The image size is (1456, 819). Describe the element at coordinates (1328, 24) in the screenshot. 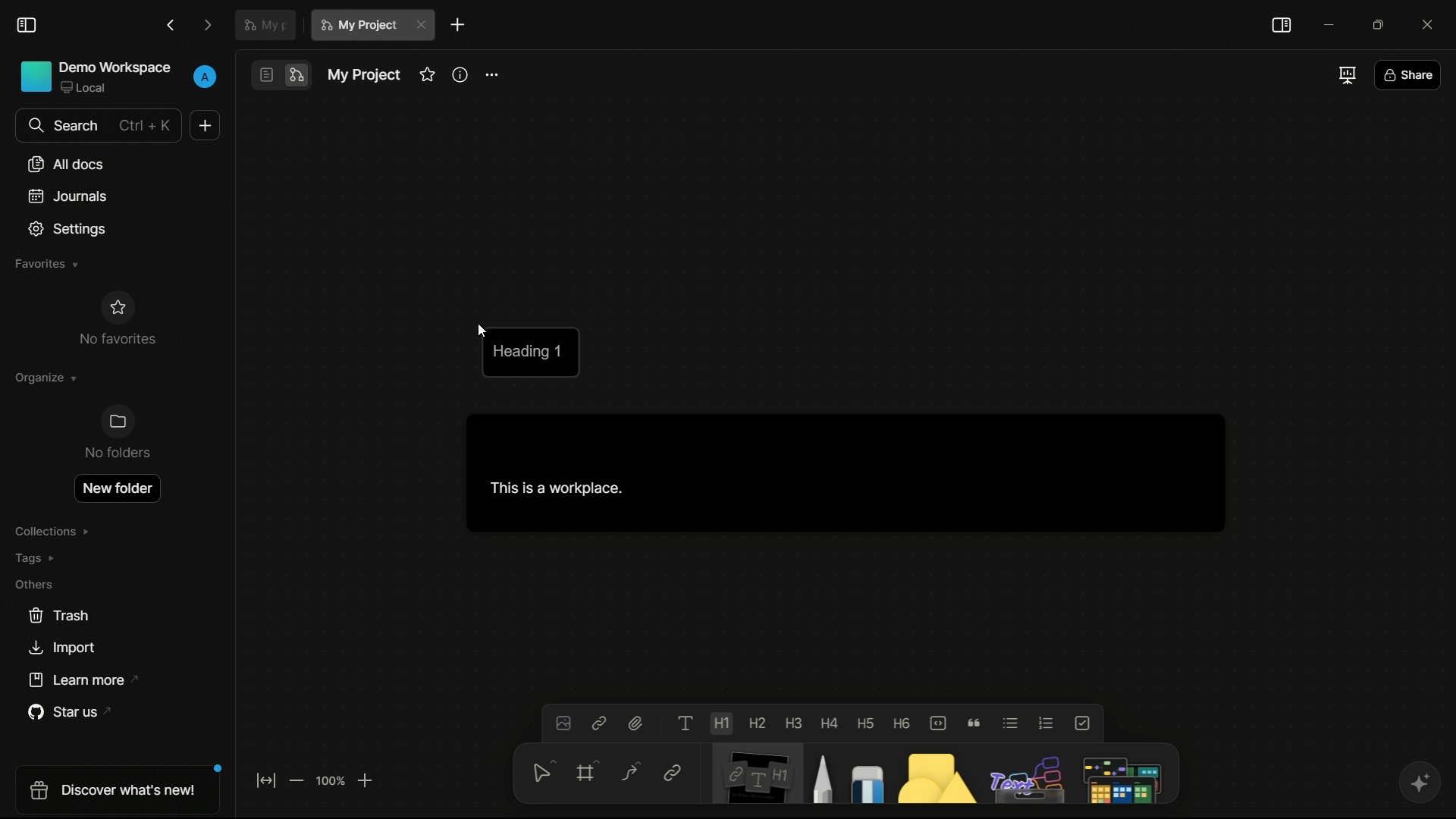

I see `minimize` at that location.